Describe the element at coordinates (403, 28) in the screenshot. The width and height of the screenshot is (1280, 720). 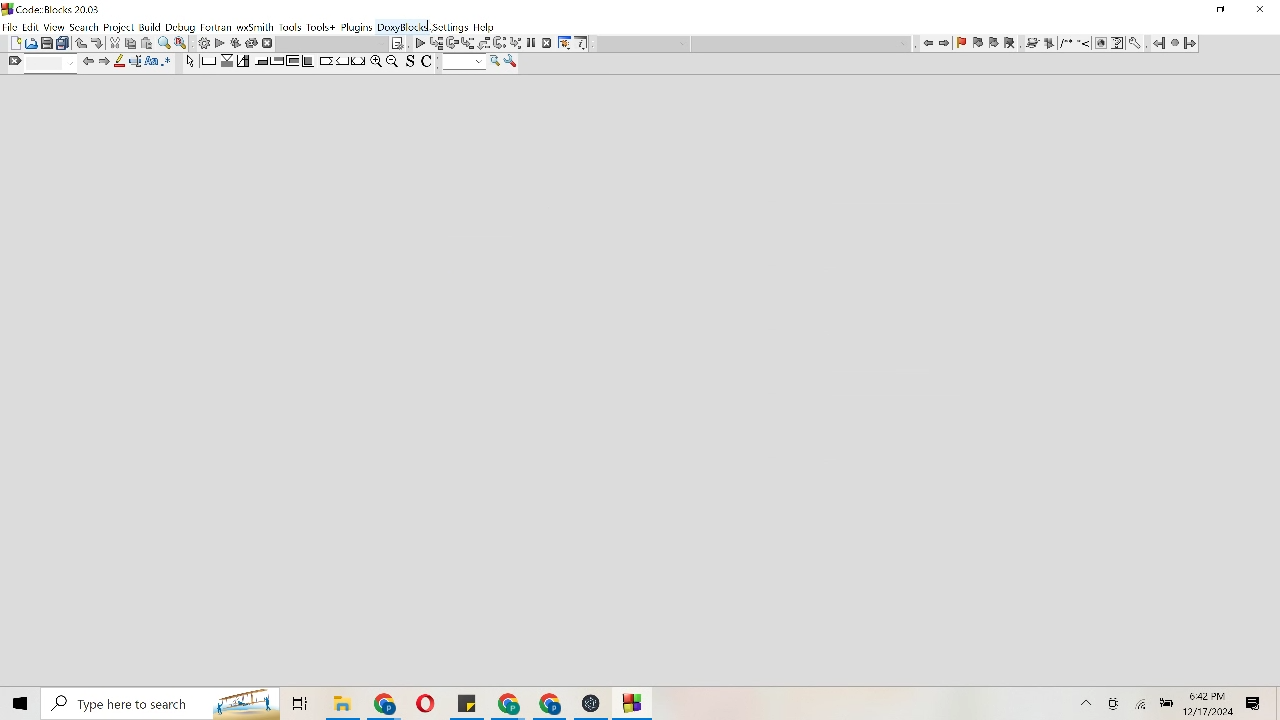
I see `Doxyblocks` at that location.